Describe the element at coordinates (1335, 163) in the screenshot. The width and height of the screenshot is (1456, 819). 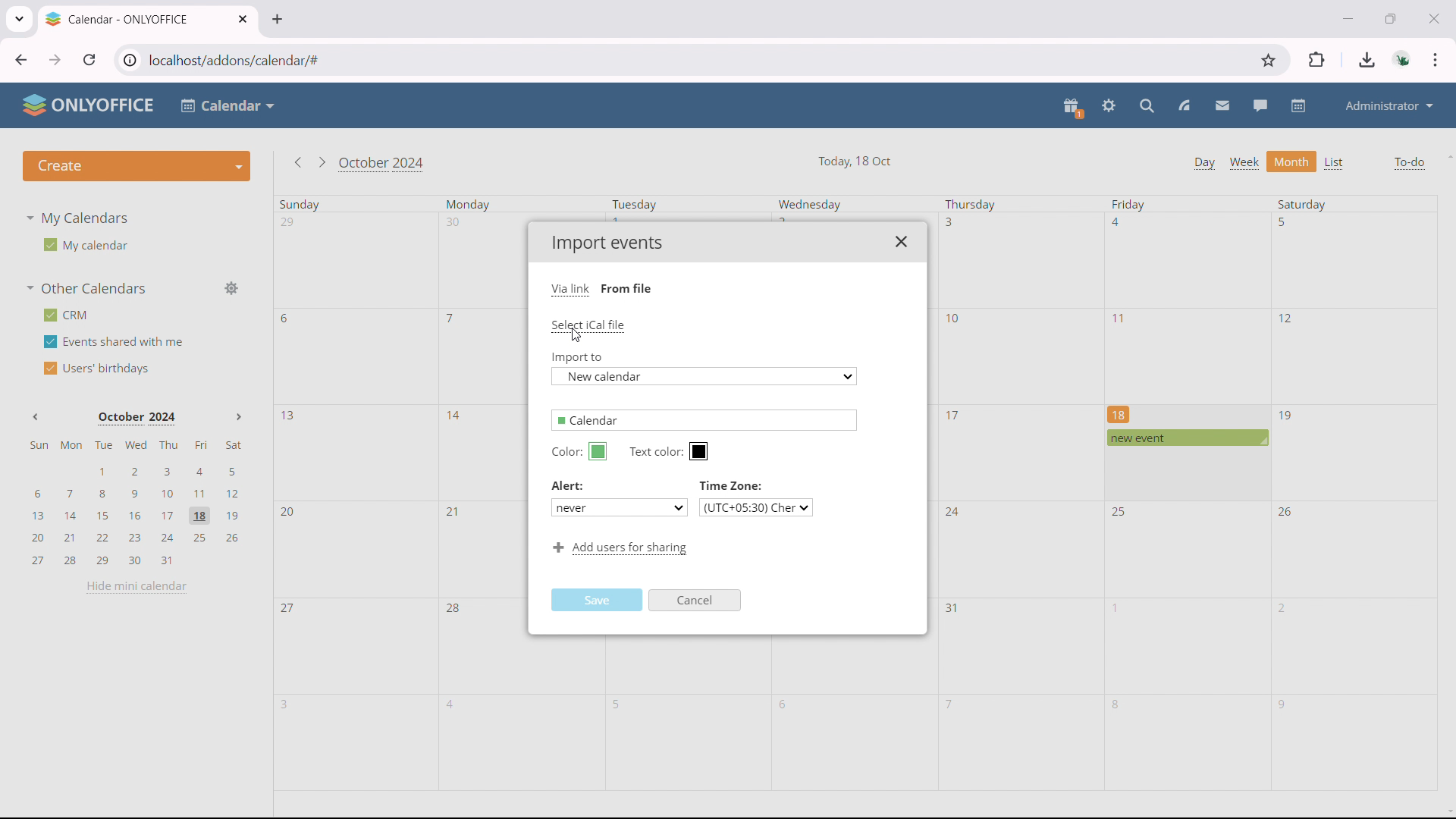
I see `list` at that location.